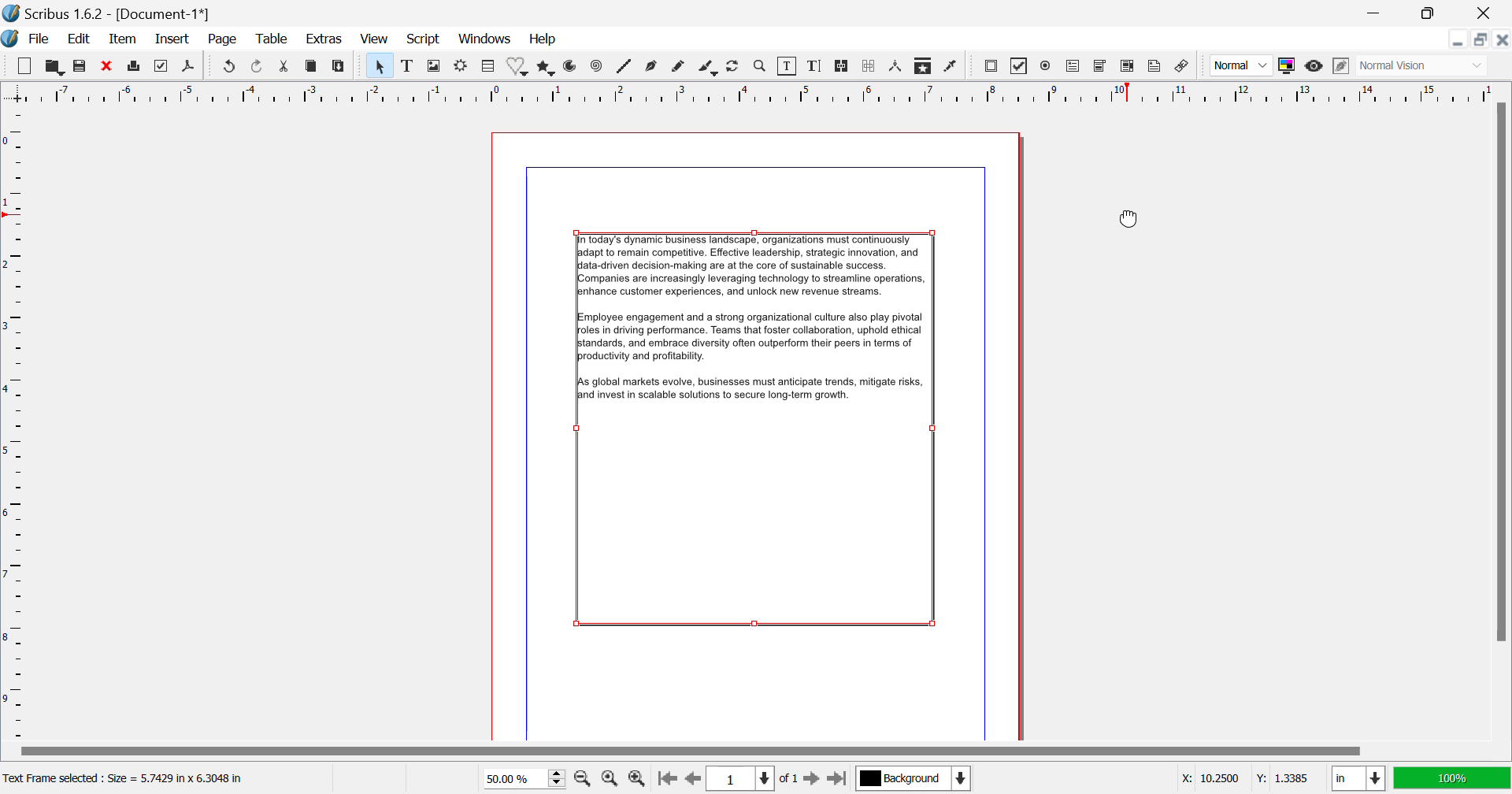 The width and height of the screenshot is (1512, 794). I want to click on Redo, so click(259, 66).